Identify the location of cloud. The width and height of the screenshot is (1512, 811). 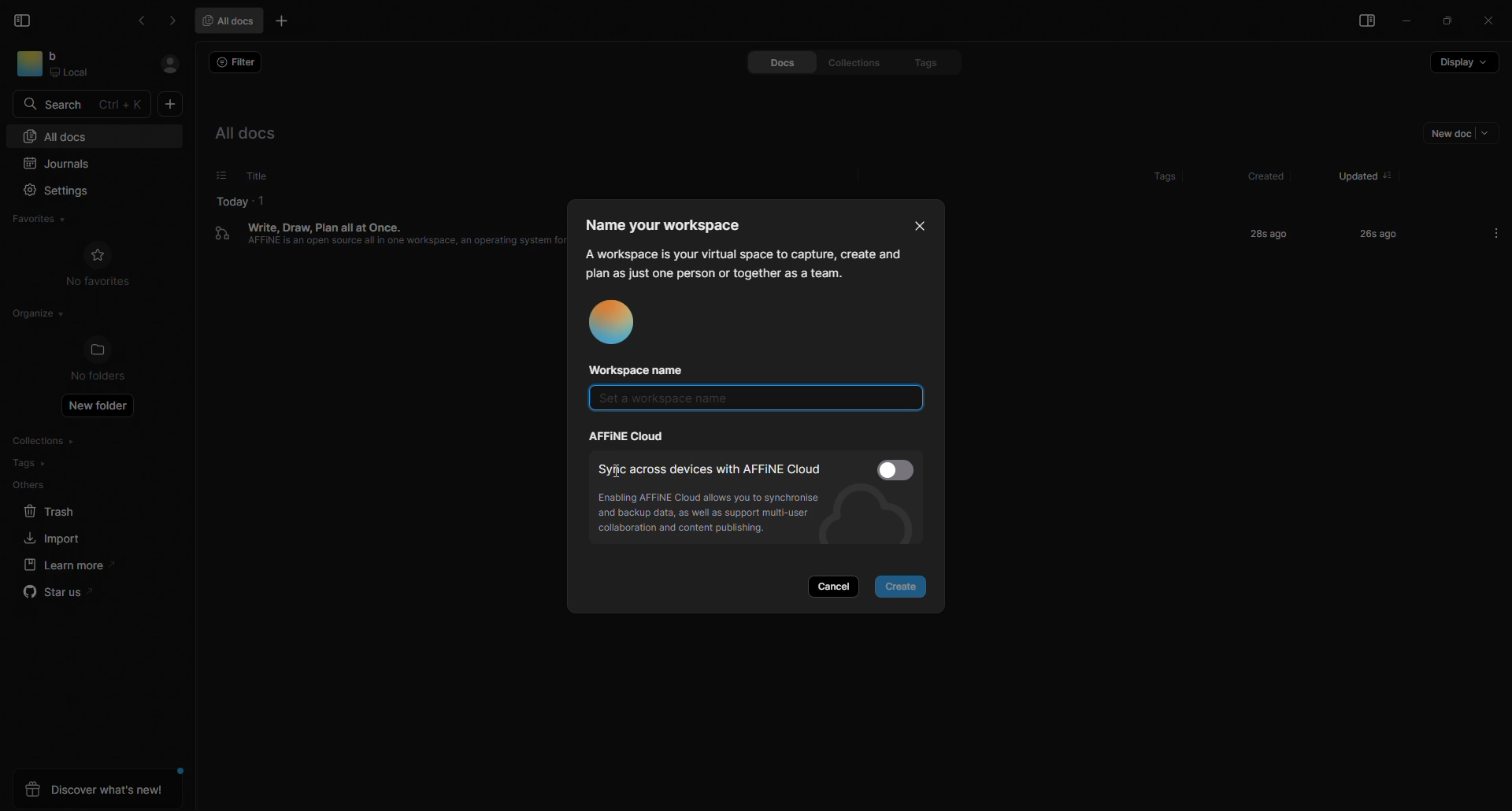
(629, 437).